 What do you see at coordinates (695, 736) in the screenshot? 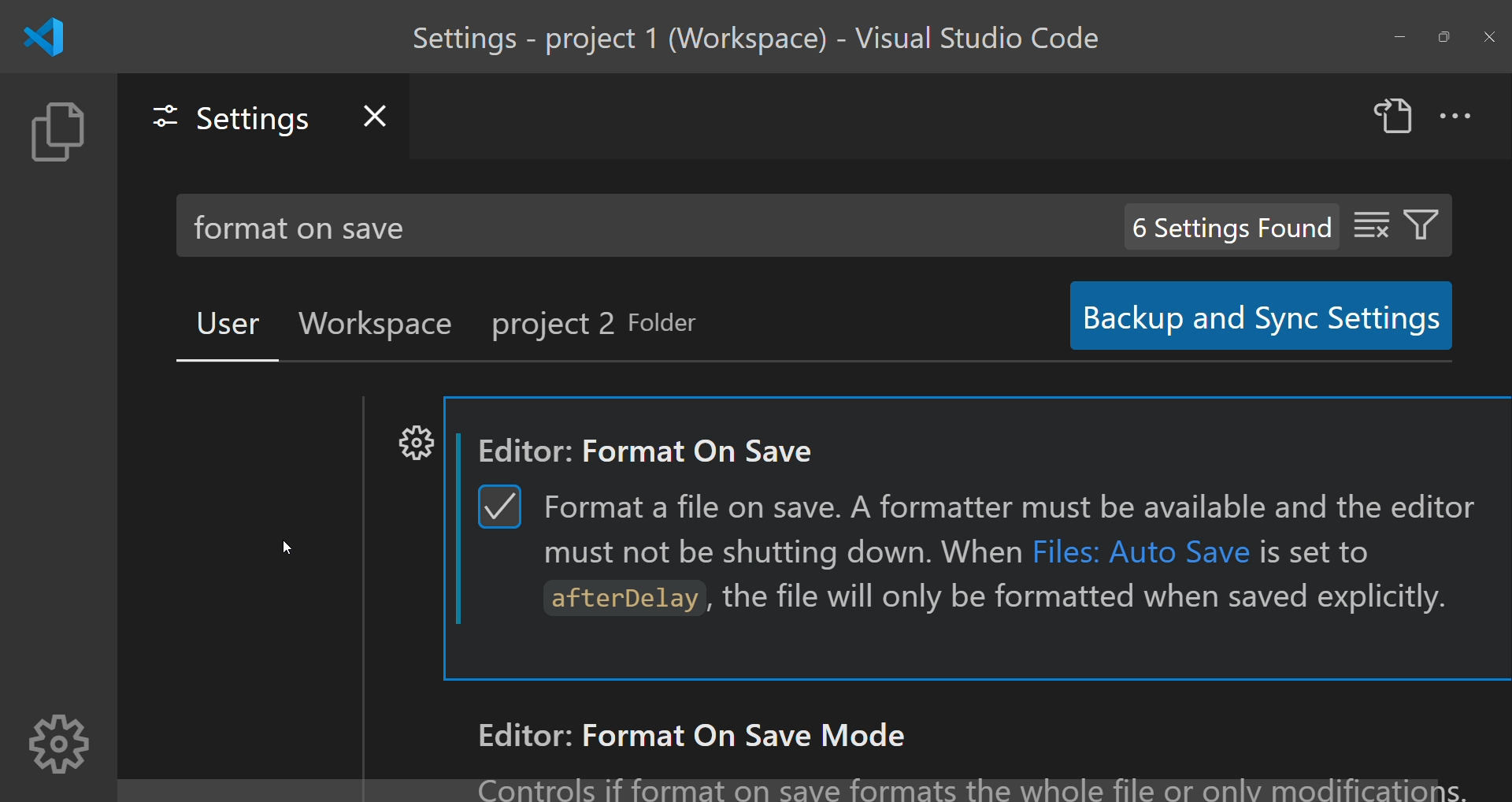
I see `Editor: format on save mode` at bounding box center [695, 736].